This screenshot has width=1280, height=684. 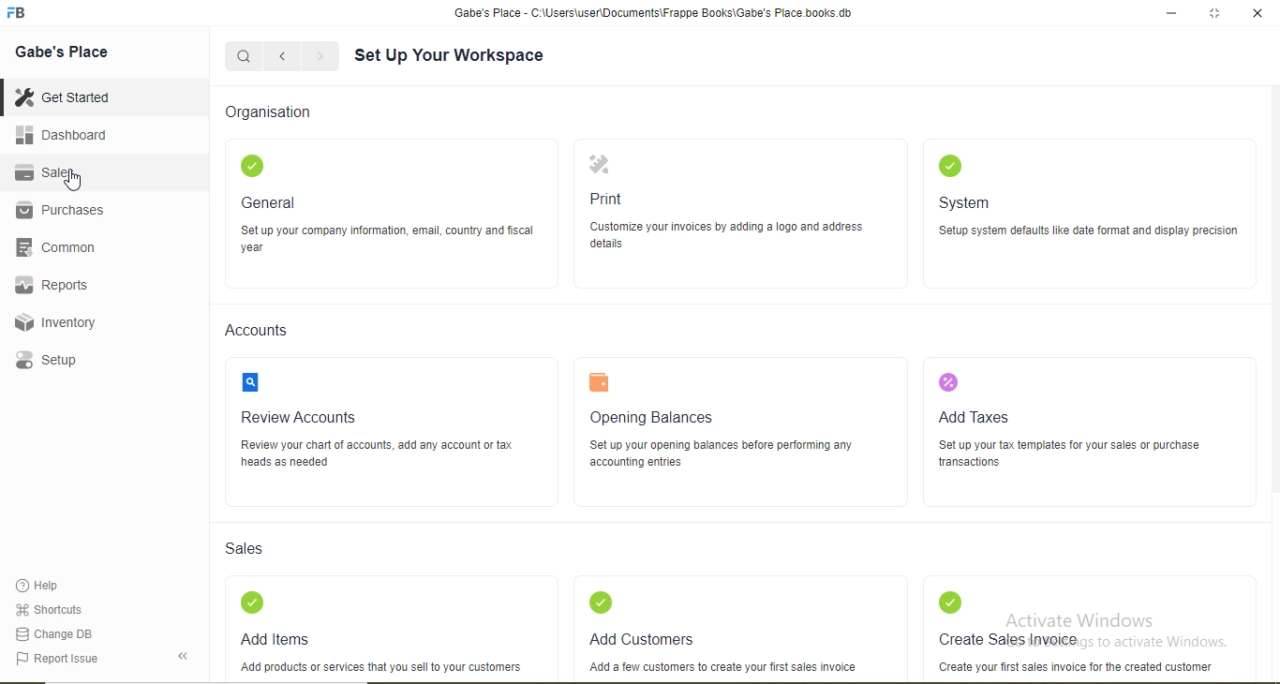 I want to click on Sales, so click(x=58, y=172).